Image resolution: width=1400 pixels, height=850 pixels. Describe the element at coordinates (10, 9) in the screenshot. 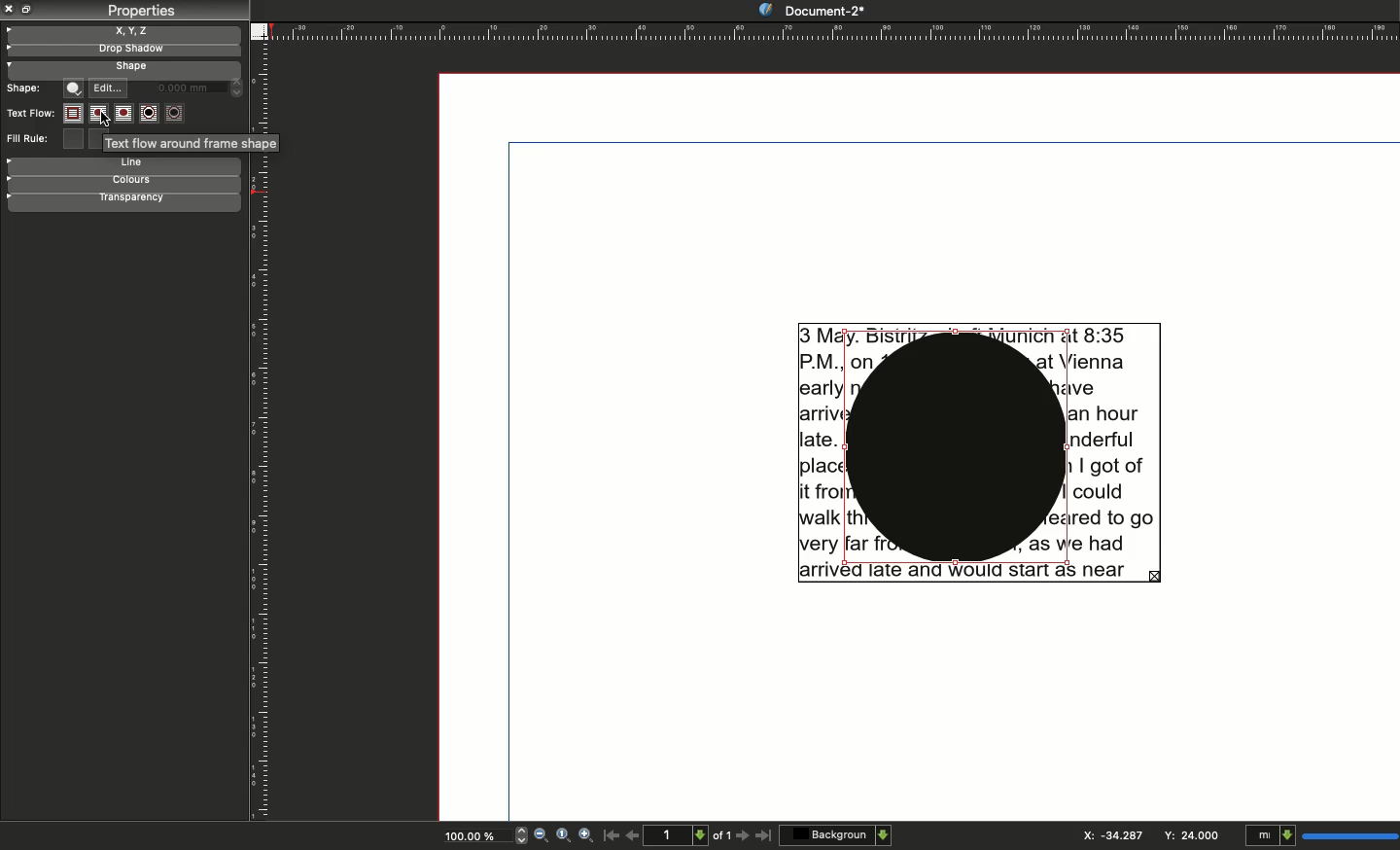

I see `Close` at that location.